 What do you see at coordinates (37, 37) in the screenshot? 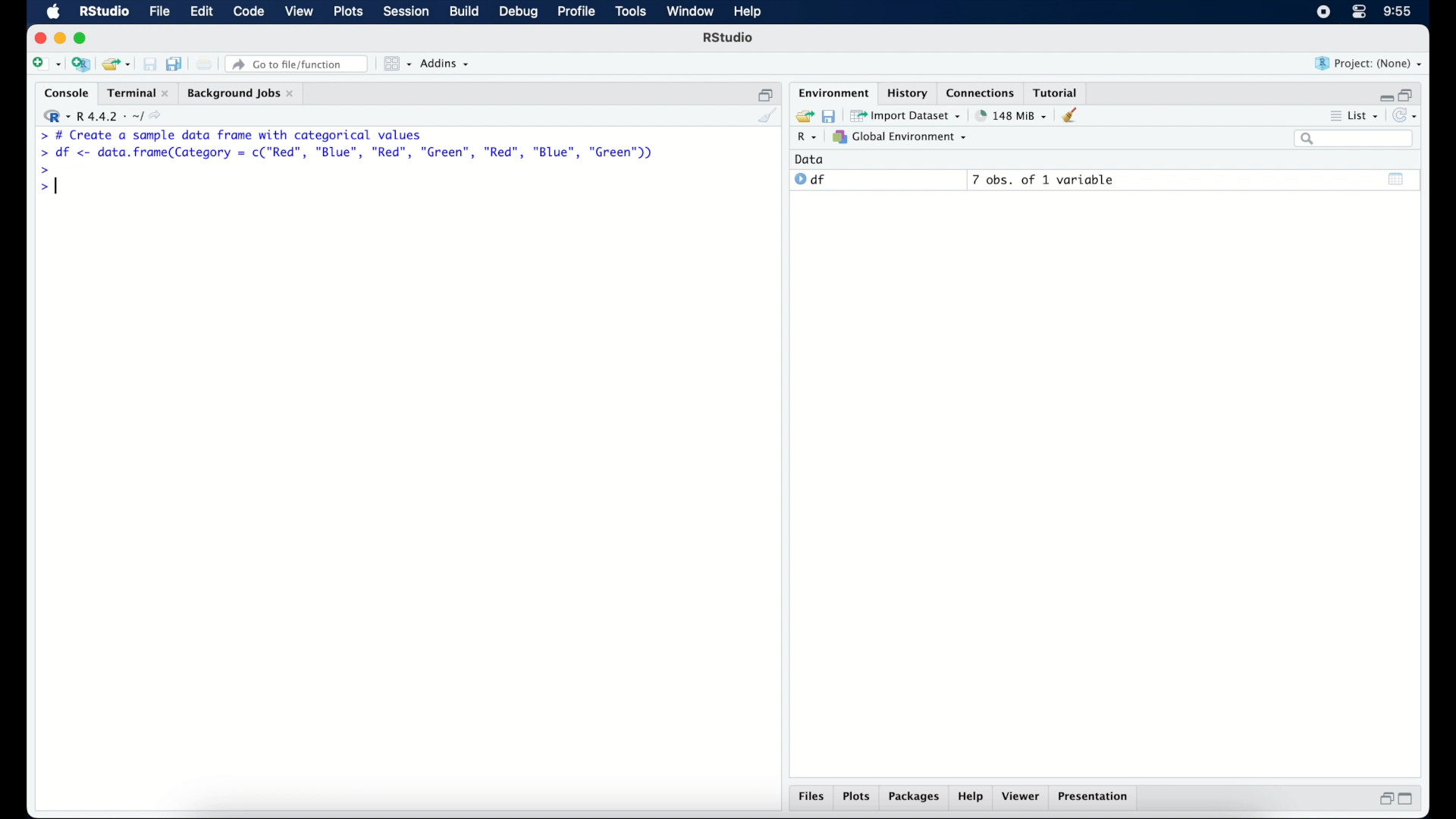
I see `close` at bounding box center [37, 37].